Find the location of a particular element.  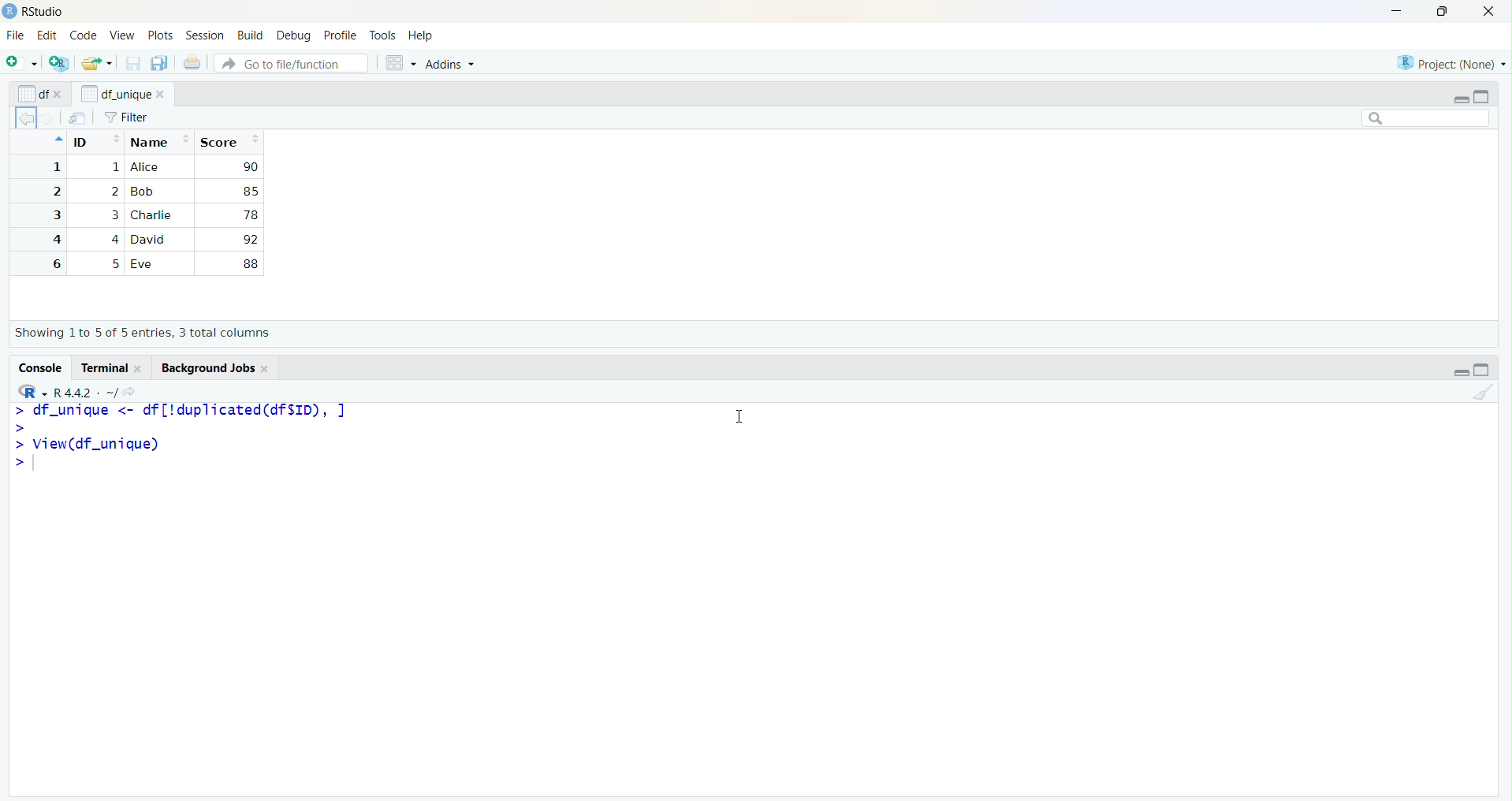

New project is located at coordinates (60, 64).